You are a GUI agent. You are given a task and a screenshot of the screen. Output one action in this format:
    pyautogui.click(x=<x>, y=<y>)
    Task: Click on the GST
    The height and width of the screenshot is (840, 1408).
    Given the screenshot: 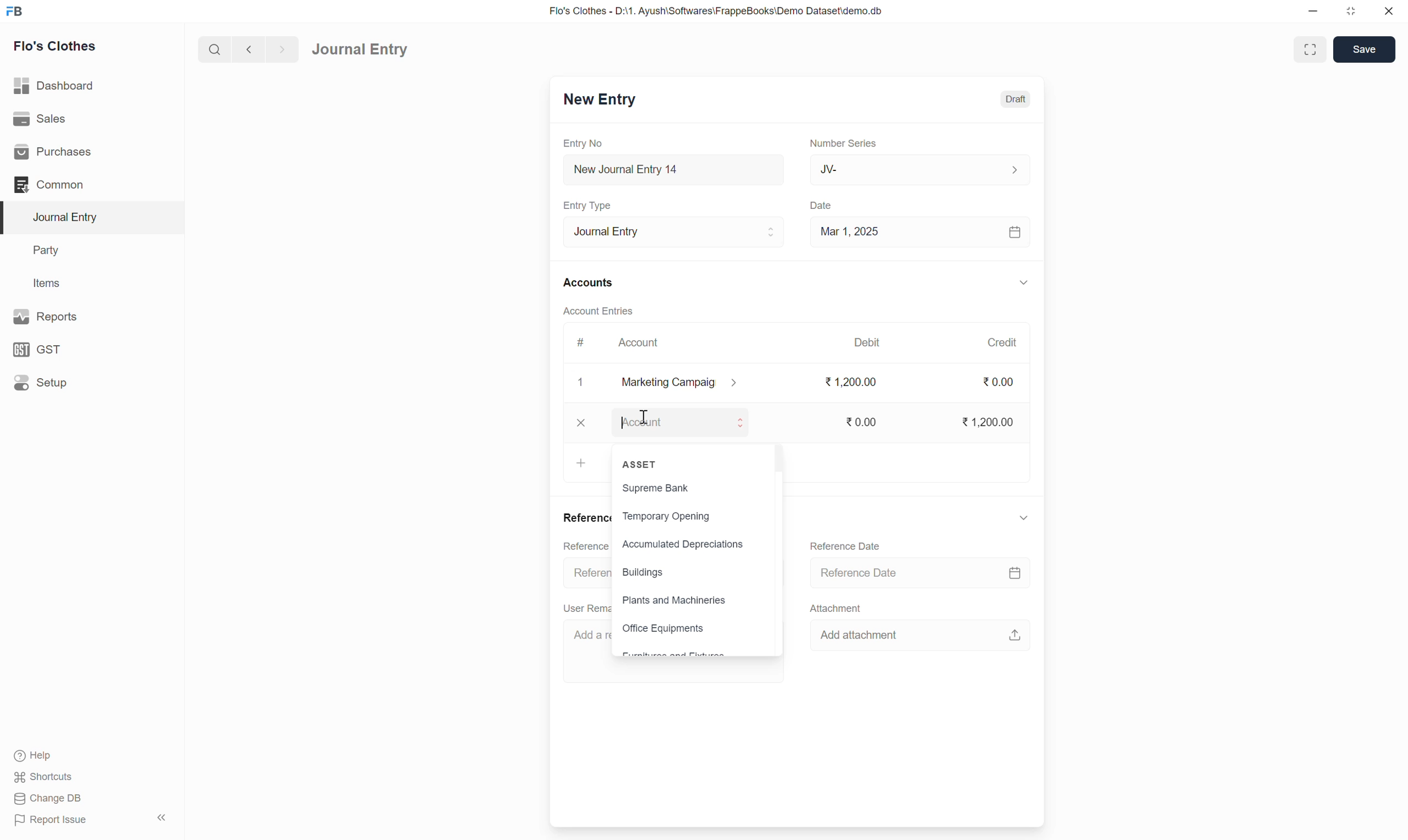 What is the action you would take?
    pyautogui.click(x=39, y=350)
    